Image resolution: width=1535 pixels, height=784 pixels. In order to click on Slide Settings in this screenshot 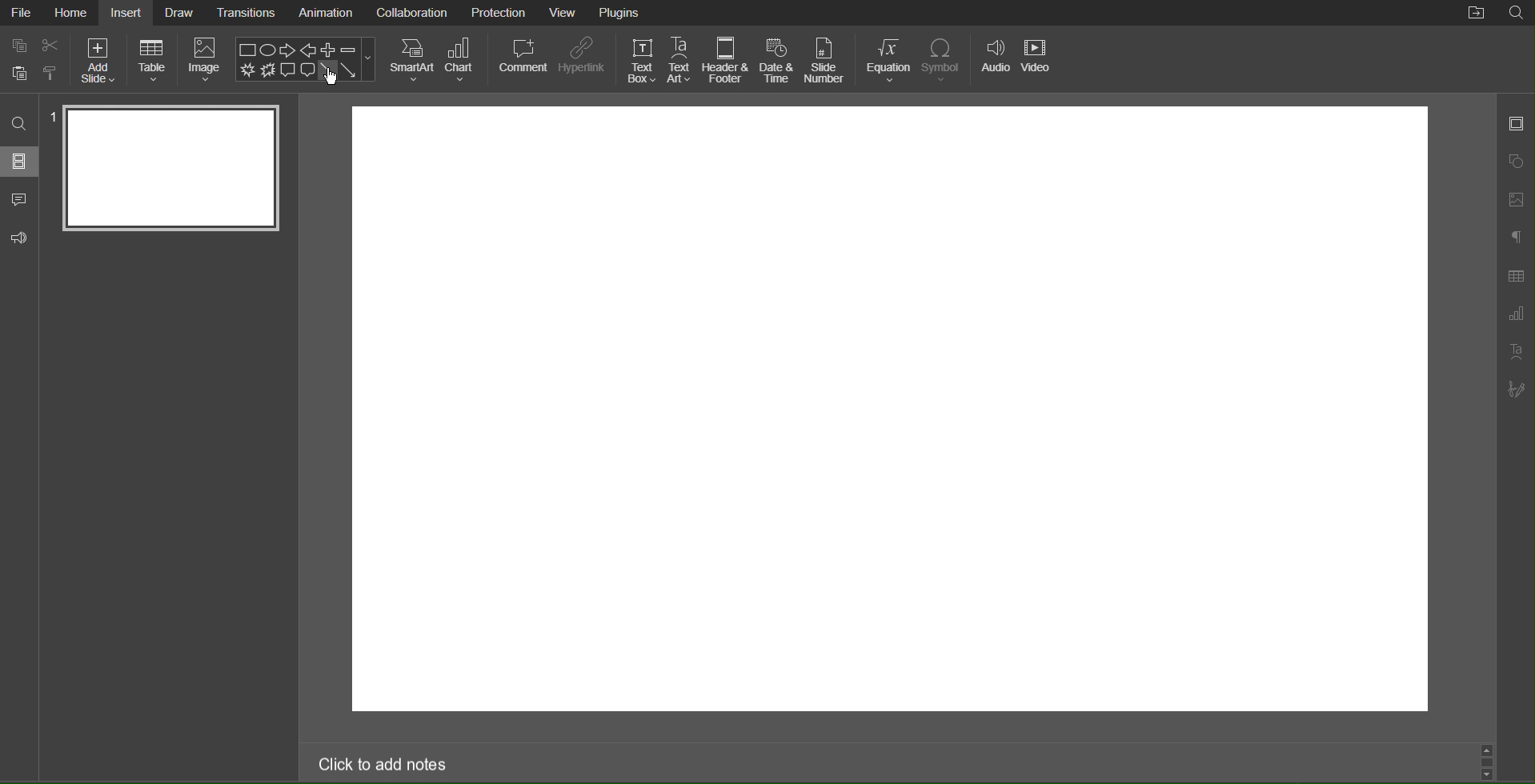, I will do `click(1515, 122)`.